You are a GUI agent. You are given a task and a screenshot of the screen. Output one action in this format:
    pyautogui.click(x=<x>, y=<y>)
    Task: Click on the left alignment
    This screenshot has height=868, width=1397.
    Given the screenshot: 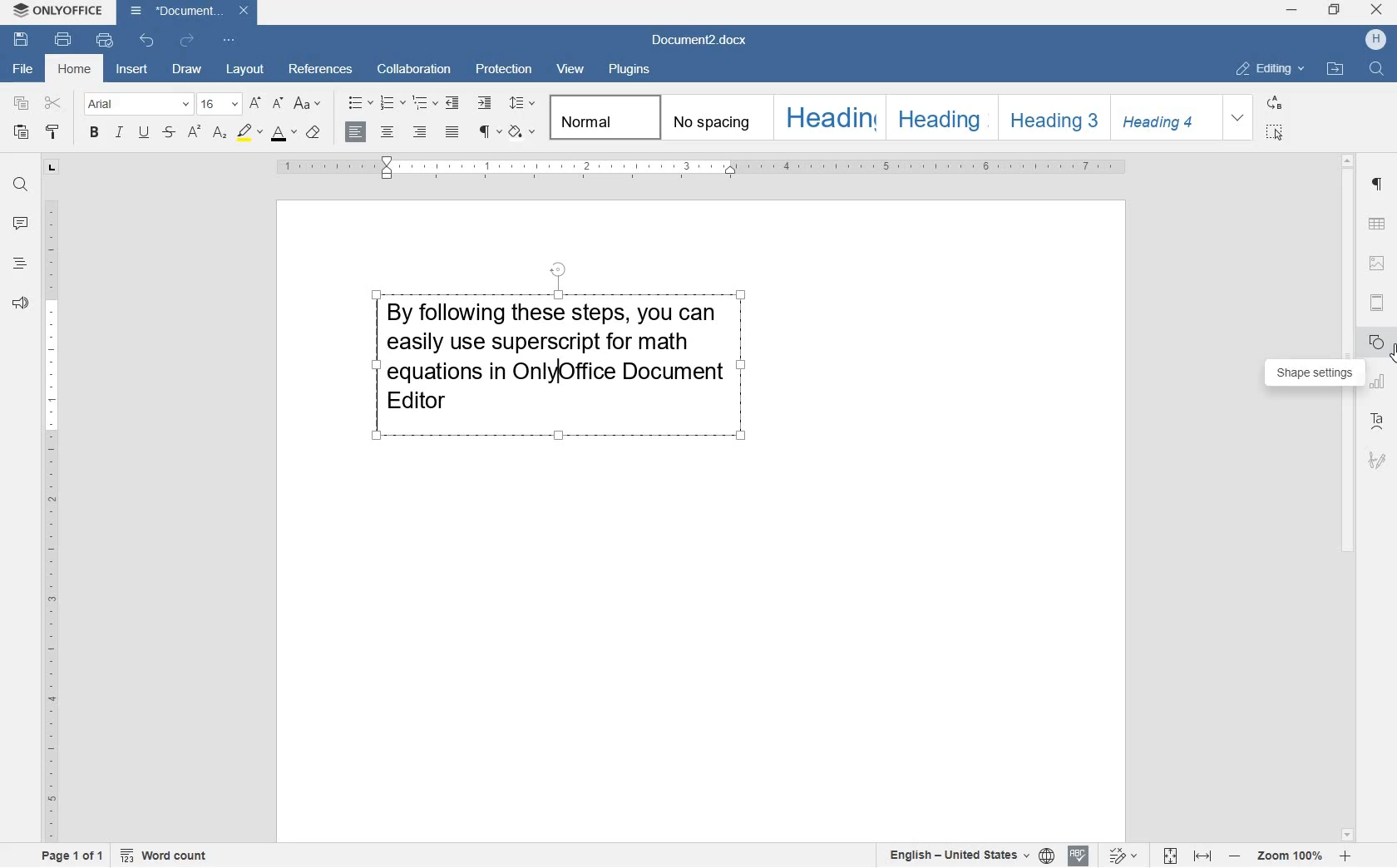 What is the action you would take?
    pyautogui.click(x=353, y=133)
    